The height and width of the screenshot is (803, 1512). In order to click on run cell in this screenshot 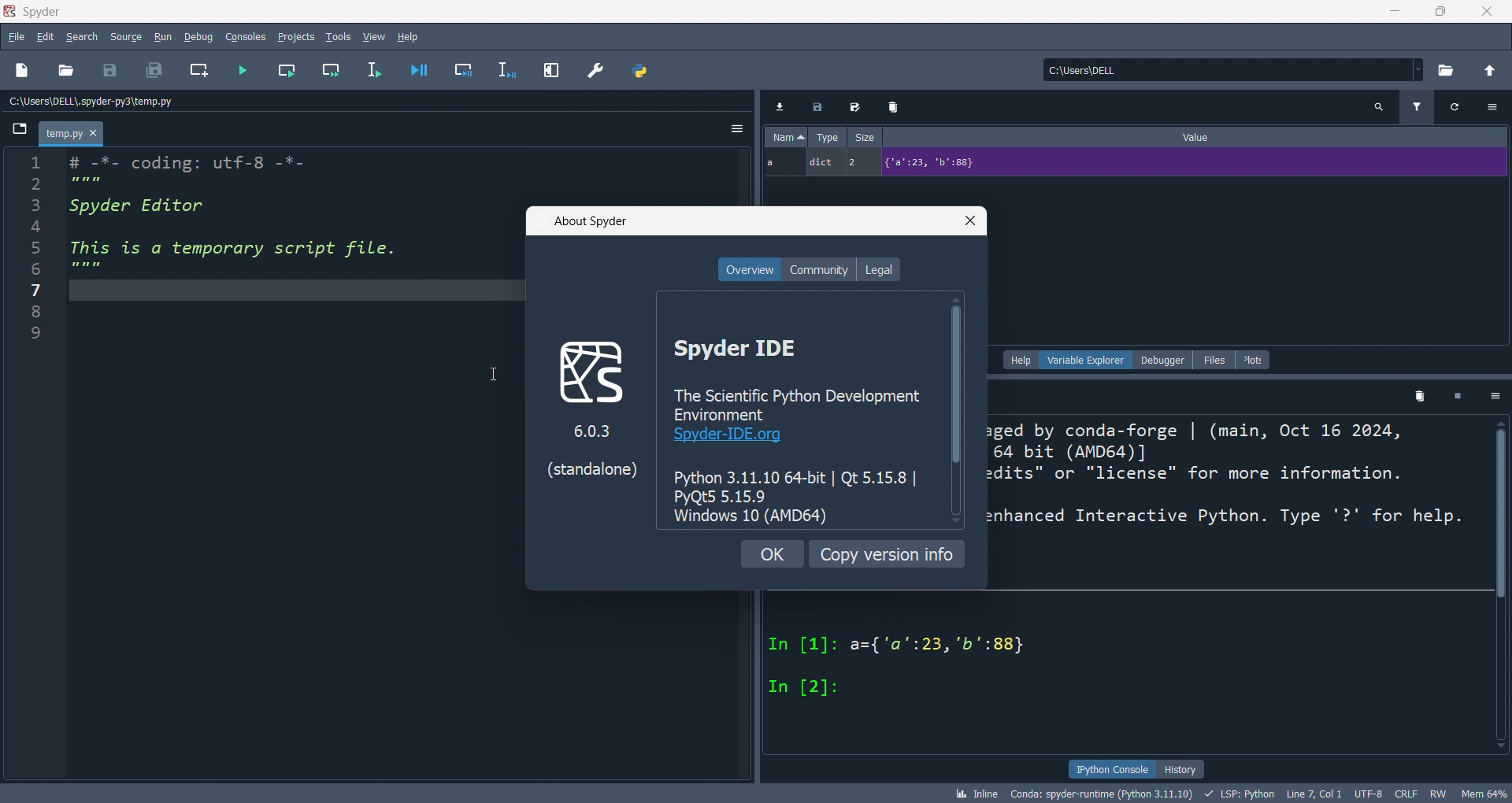, I will do `click(286, 71)`.